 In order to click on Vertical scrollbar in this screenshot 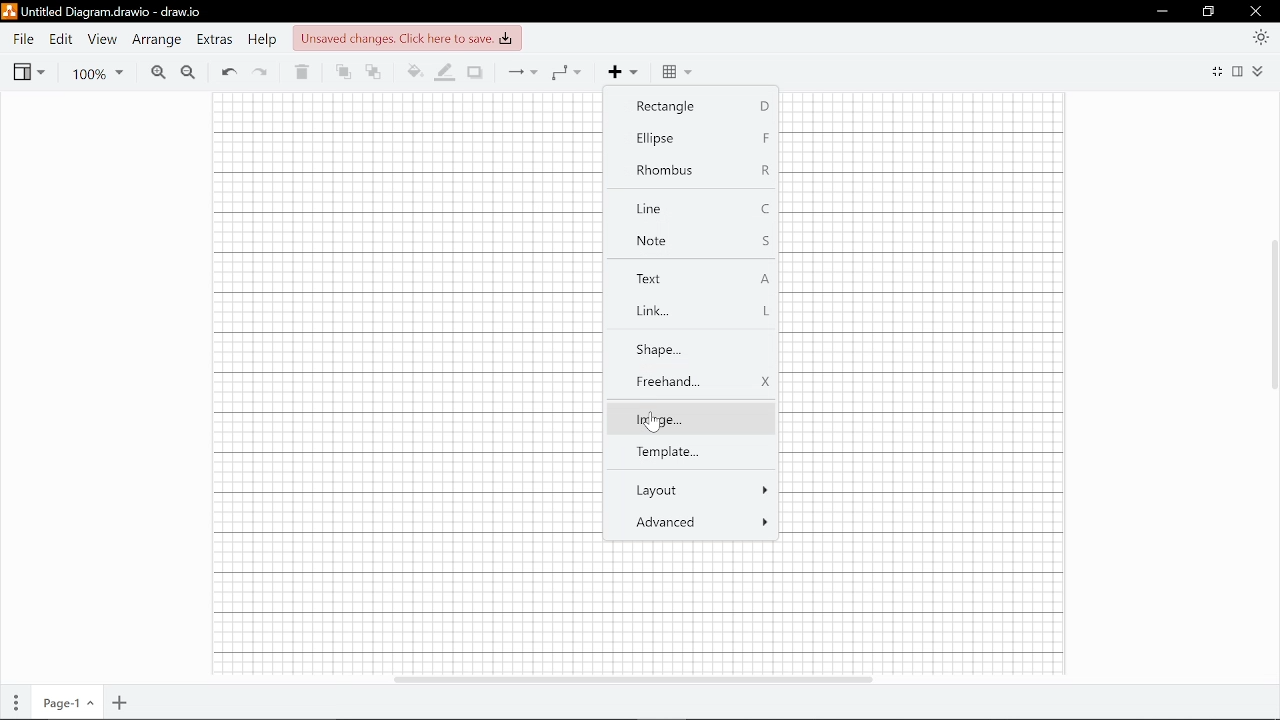, I will do `click(1272, 311)`.